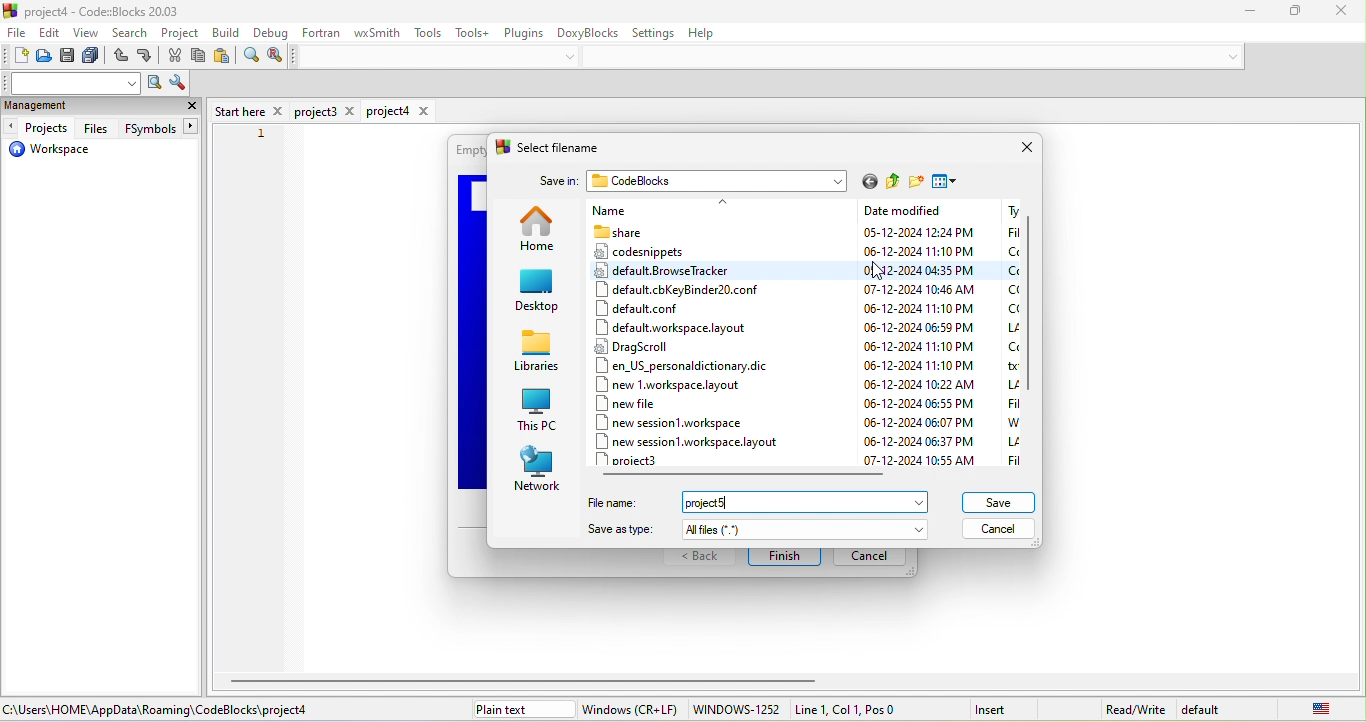 The height and width of the screenshot is (722, 1366). I want to click on network, so click(538, 466).